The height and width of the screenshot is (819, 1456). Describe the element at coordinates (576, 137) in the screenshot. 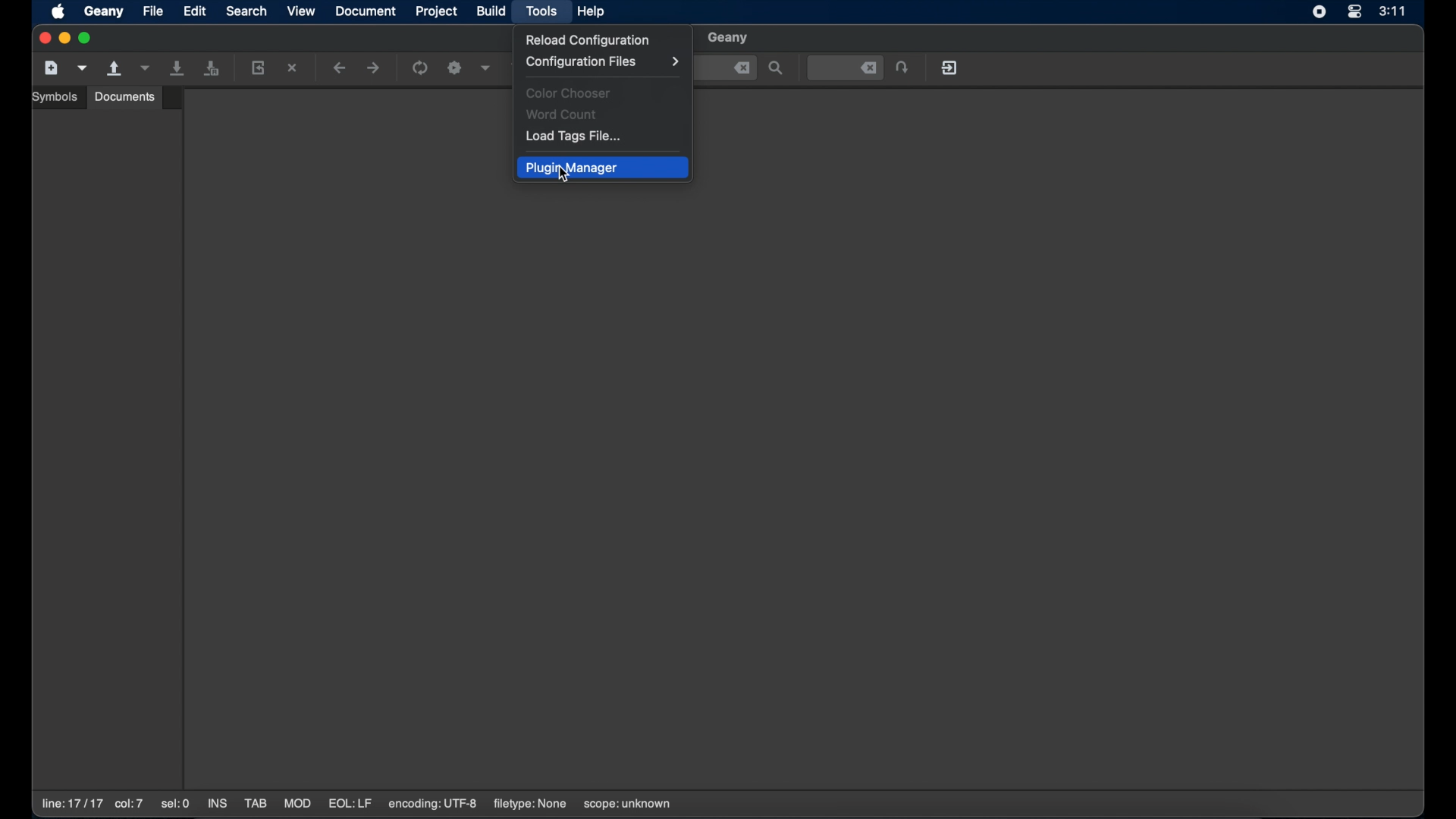

I see `load tags file` at that location.